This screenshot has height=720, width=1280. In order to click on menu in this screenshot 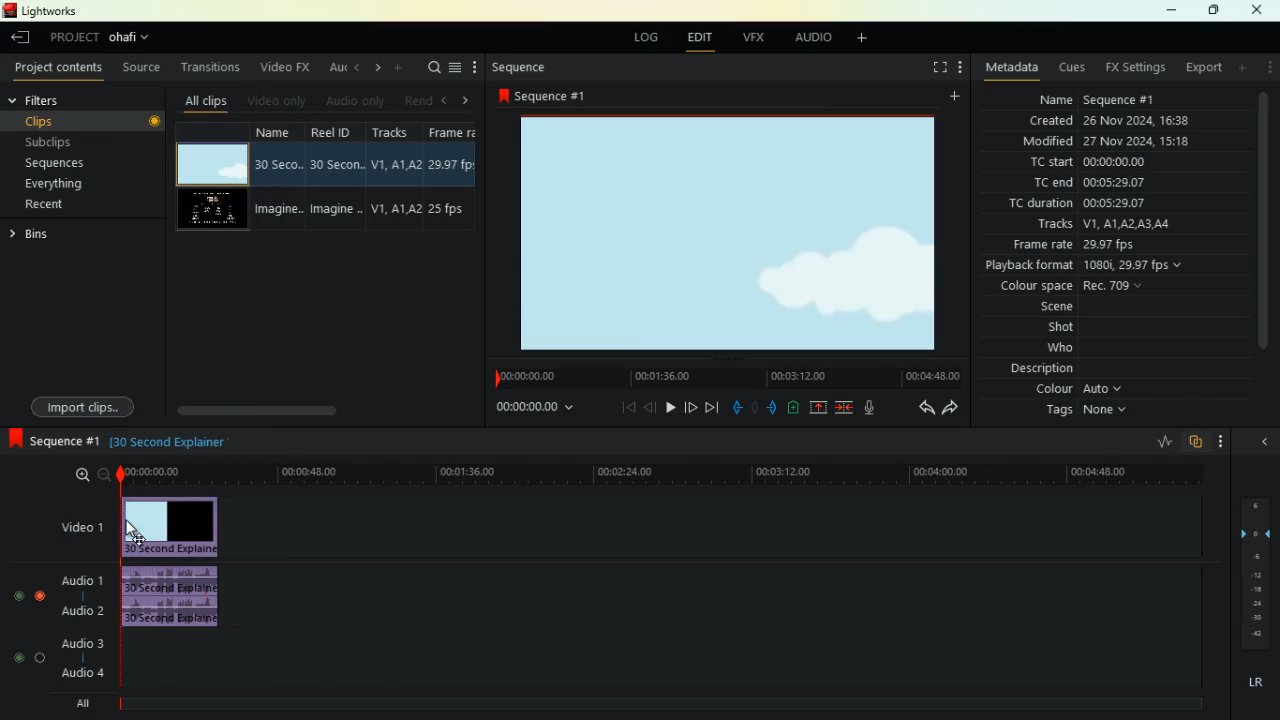, I will do `click(455, 69)`.